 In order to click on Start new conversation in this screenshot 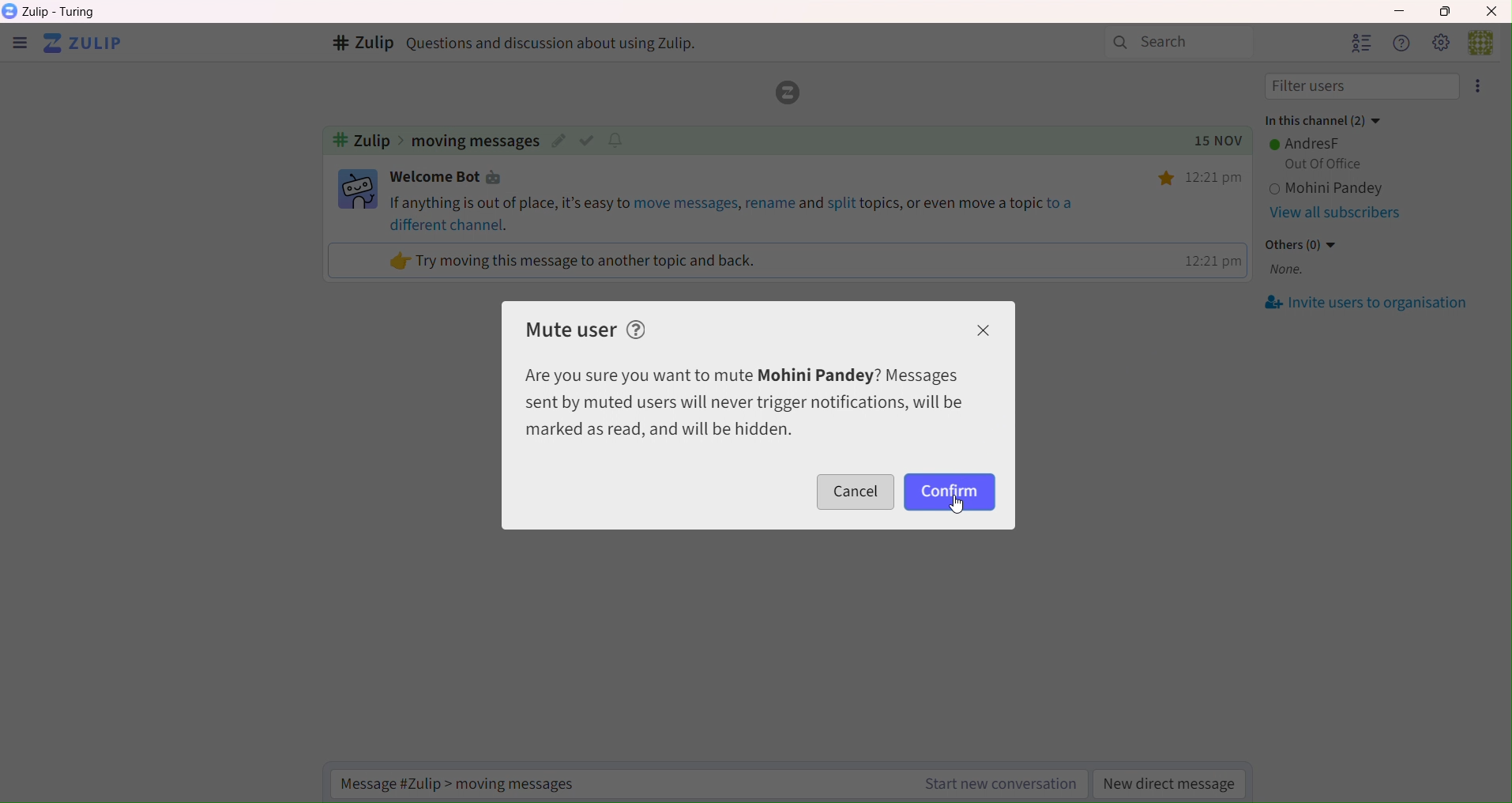, I will do `click(997, 786)`.